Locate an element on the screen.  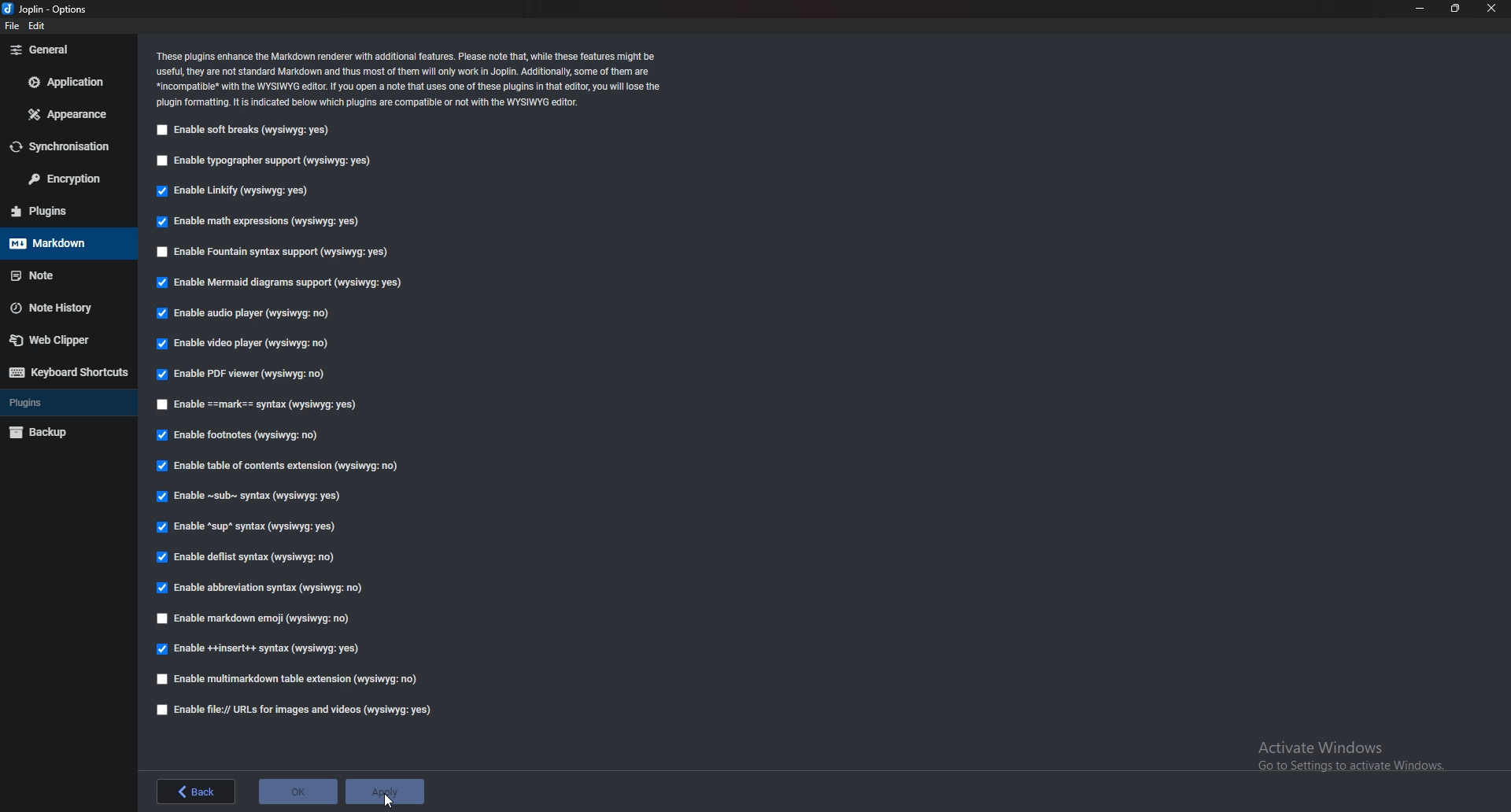
resize is located at coordinates (1455, 9).